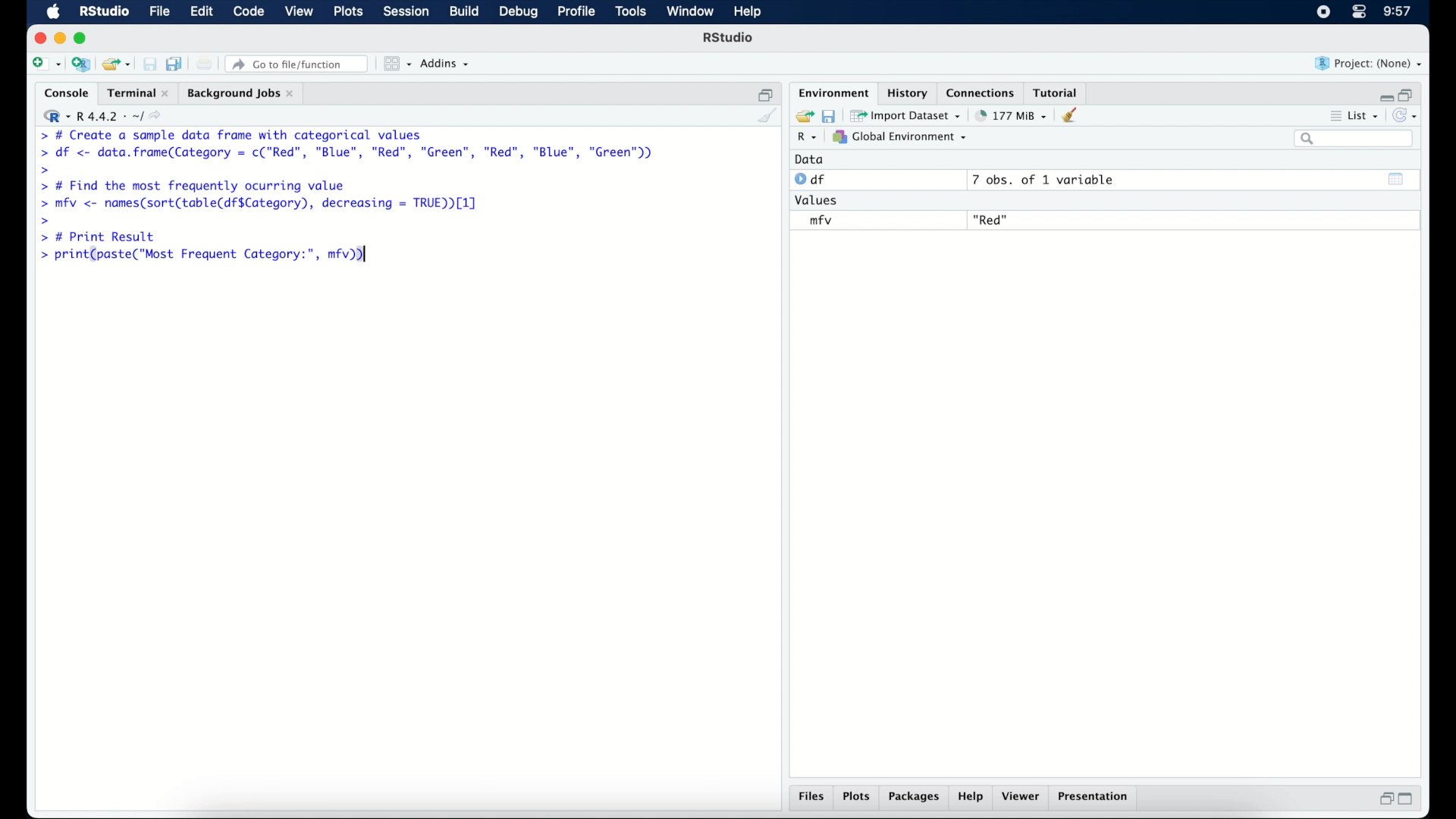 This screenshot has width=1456, height=819. I want to click on show output window, so click(1398, 181).